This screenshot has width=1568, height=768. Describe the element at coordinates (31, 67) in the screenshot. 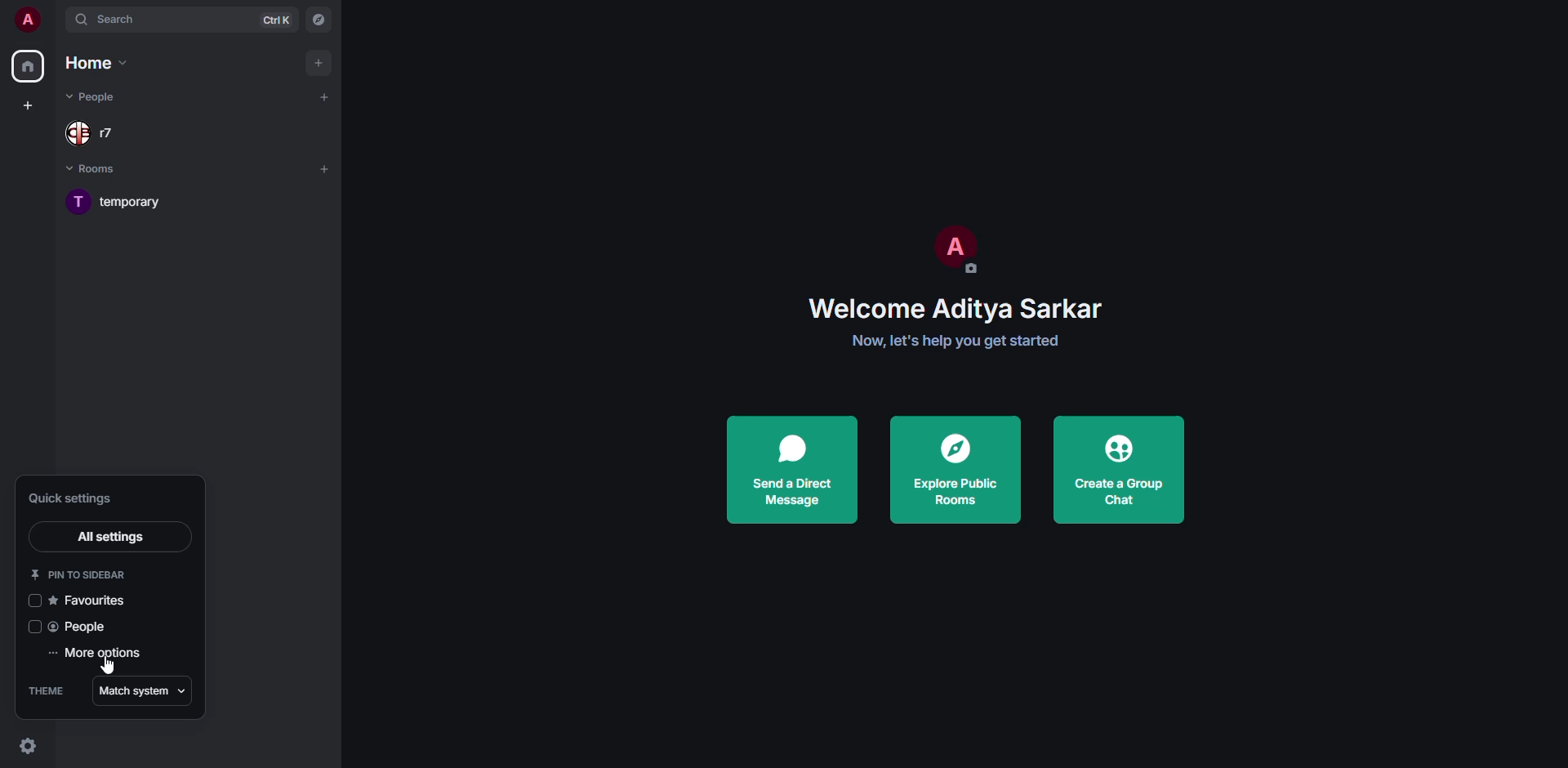

I see `home` at that location.